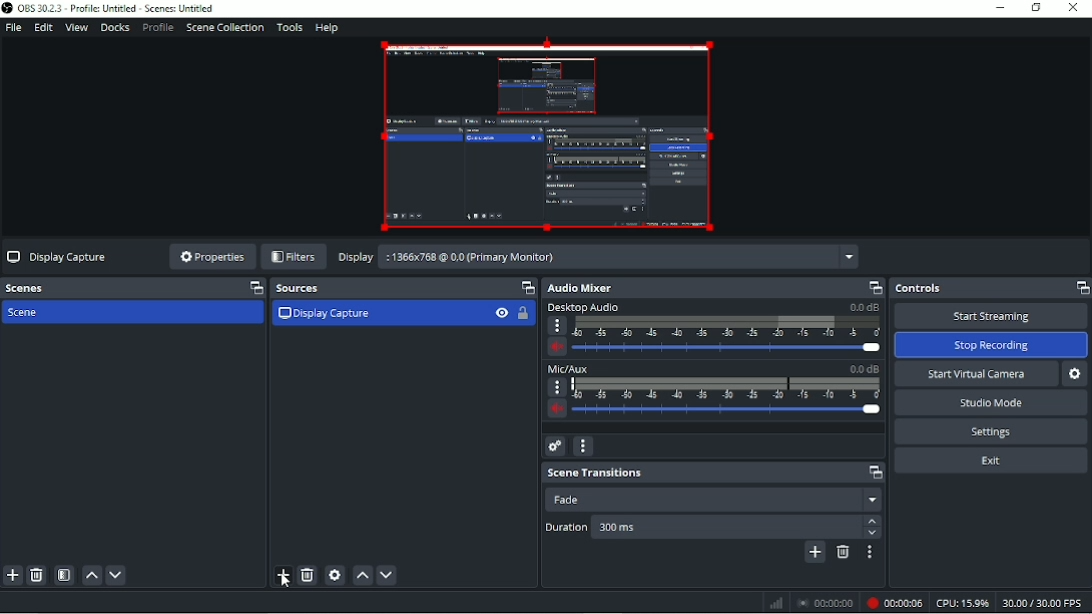 This screenshot has width=1092, height=614. I want to click on View, so click(76, 28).